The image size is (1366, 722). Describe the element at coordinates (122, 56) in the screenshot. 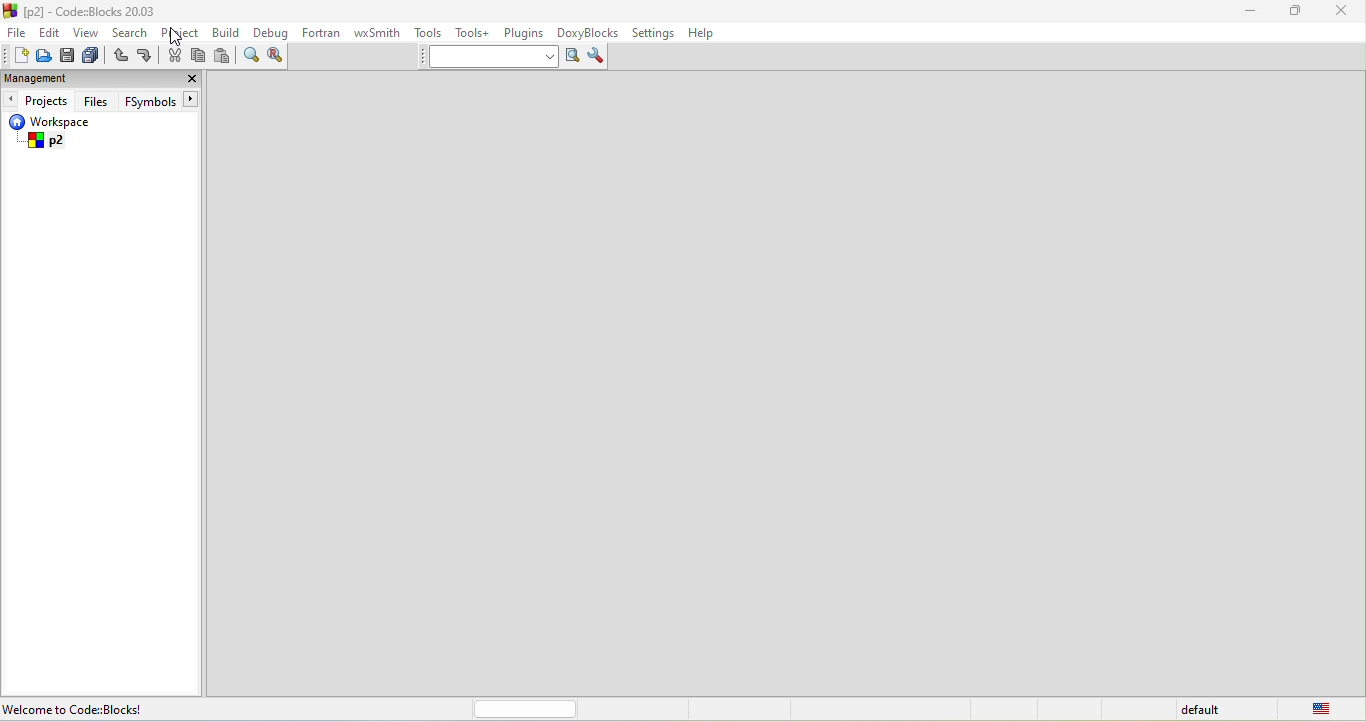

I see `undo` at that location.